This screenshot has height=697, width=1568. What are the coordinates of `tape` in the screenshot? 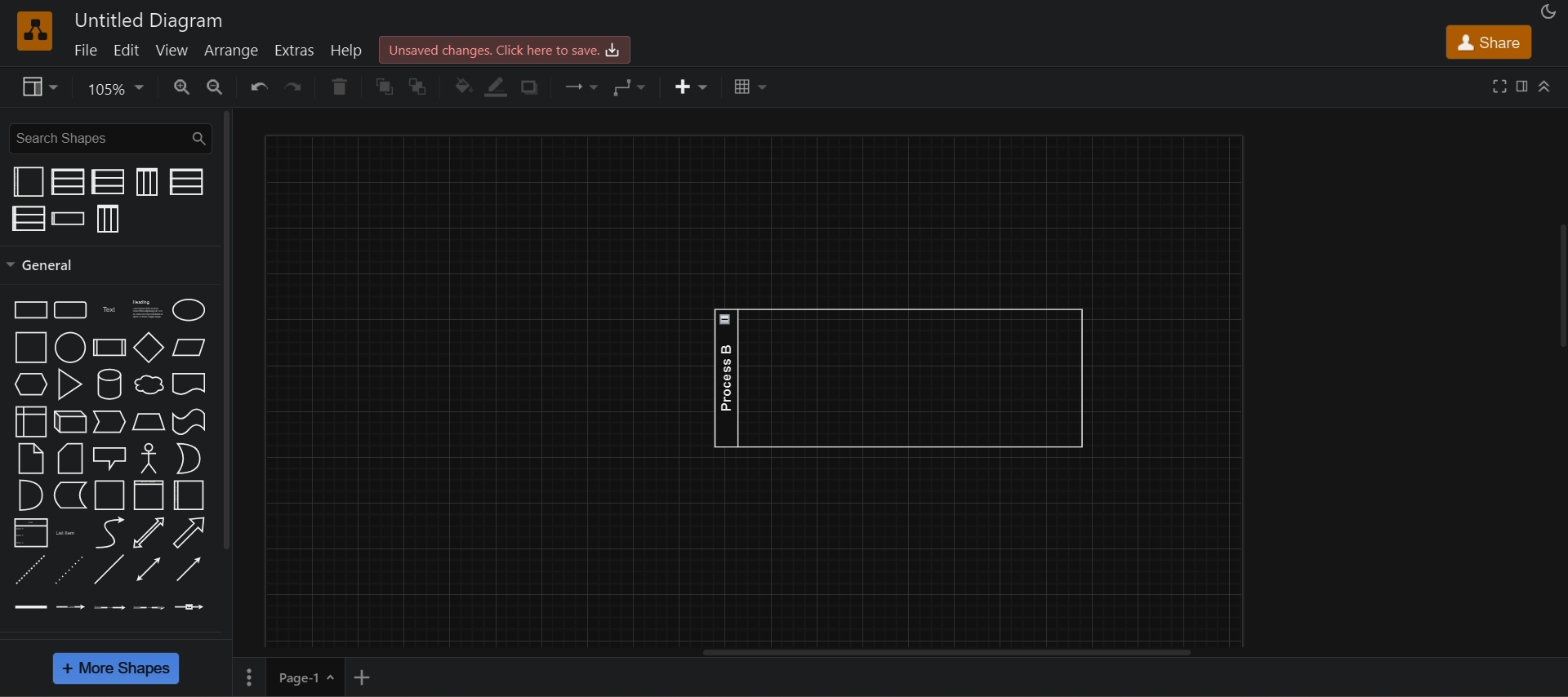 It's located at (188, 422).